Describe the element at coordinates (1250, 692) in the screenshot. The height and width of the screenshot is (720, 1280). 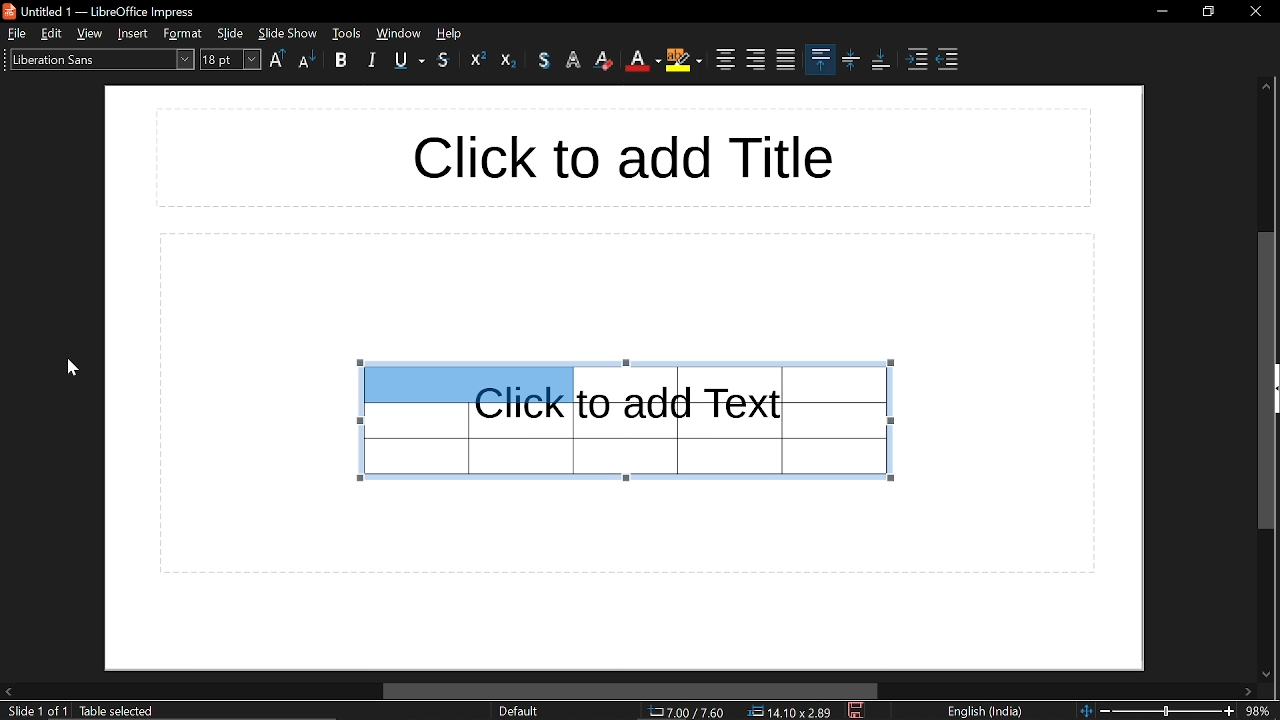
I see `move right` at that location.